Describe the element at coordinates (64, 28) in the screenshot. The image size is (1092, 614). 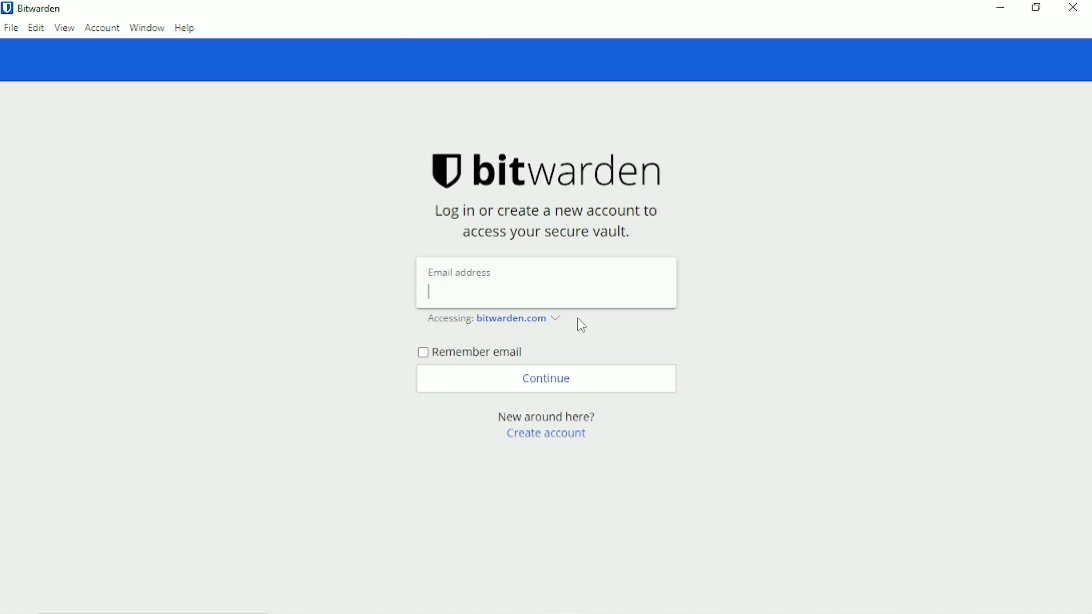
I see `View` at that location.